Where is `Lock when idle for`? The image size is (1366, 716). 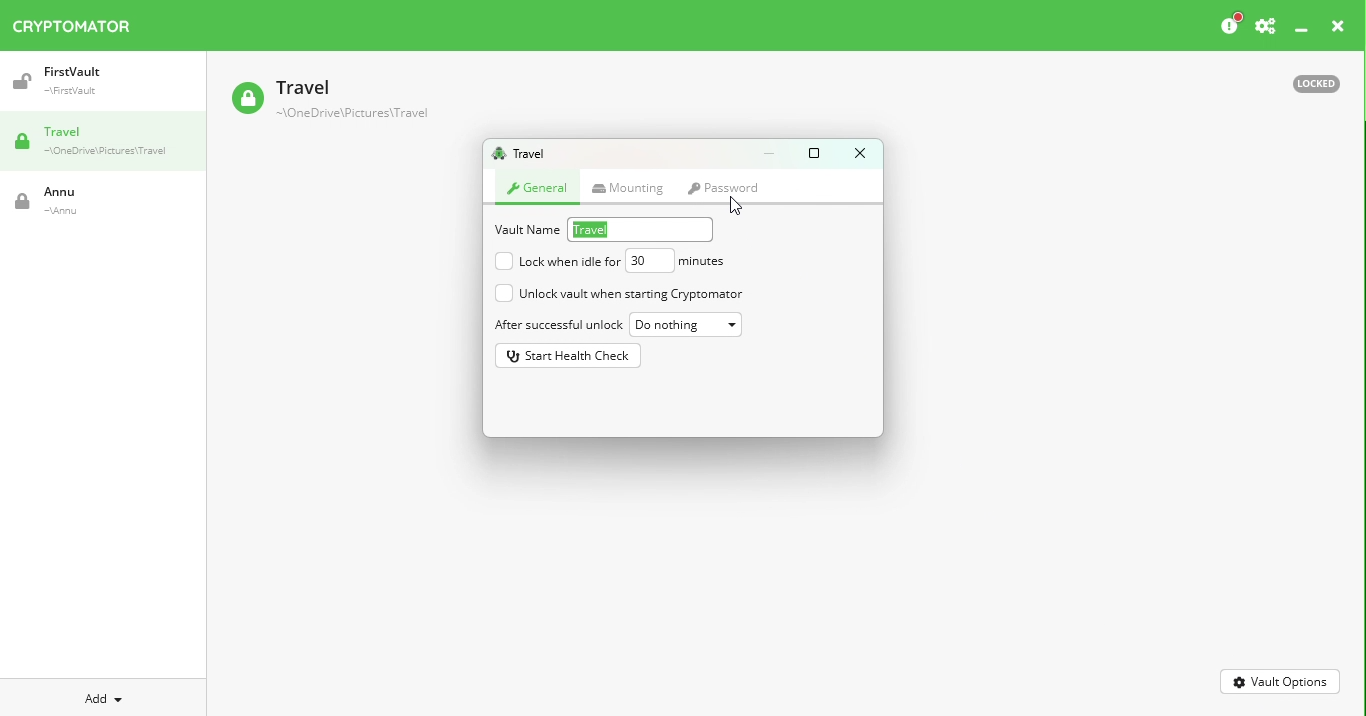 Lock when idle for is located at coordinates (560, 262).